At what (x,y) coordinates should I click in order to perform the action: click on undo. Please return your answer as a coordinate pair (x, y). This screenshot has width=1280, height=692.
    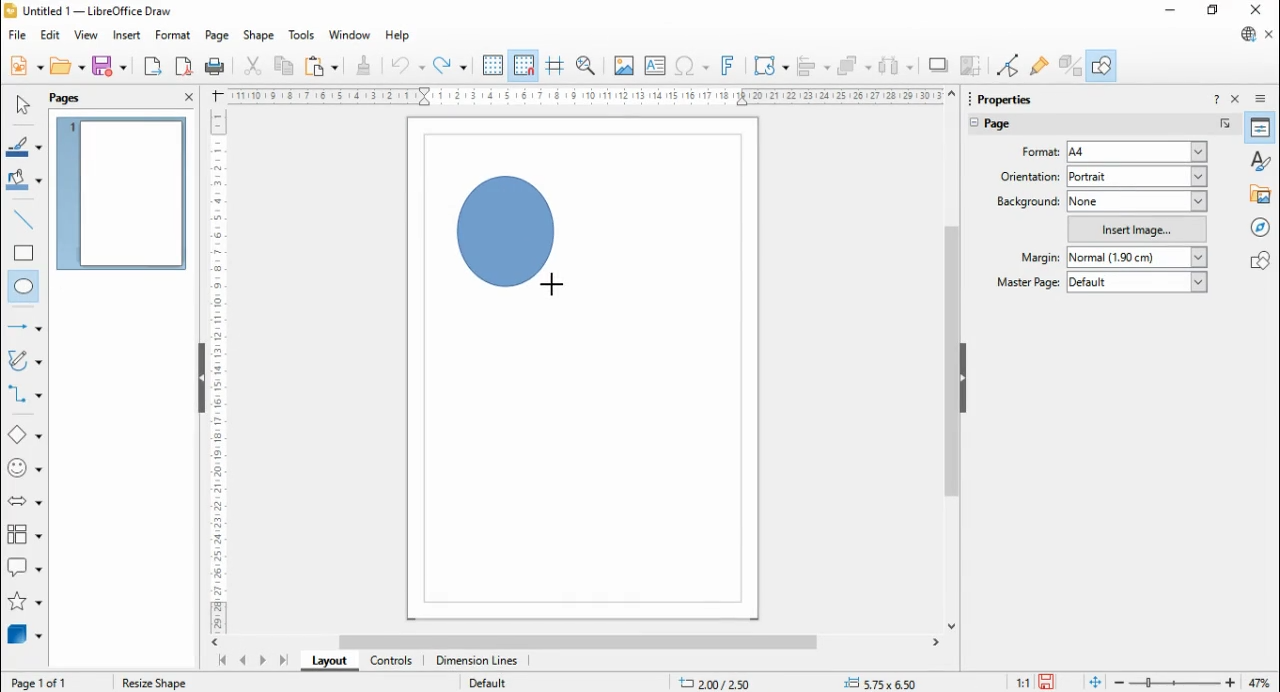
    Looking at the image, I should click on (408, 66).